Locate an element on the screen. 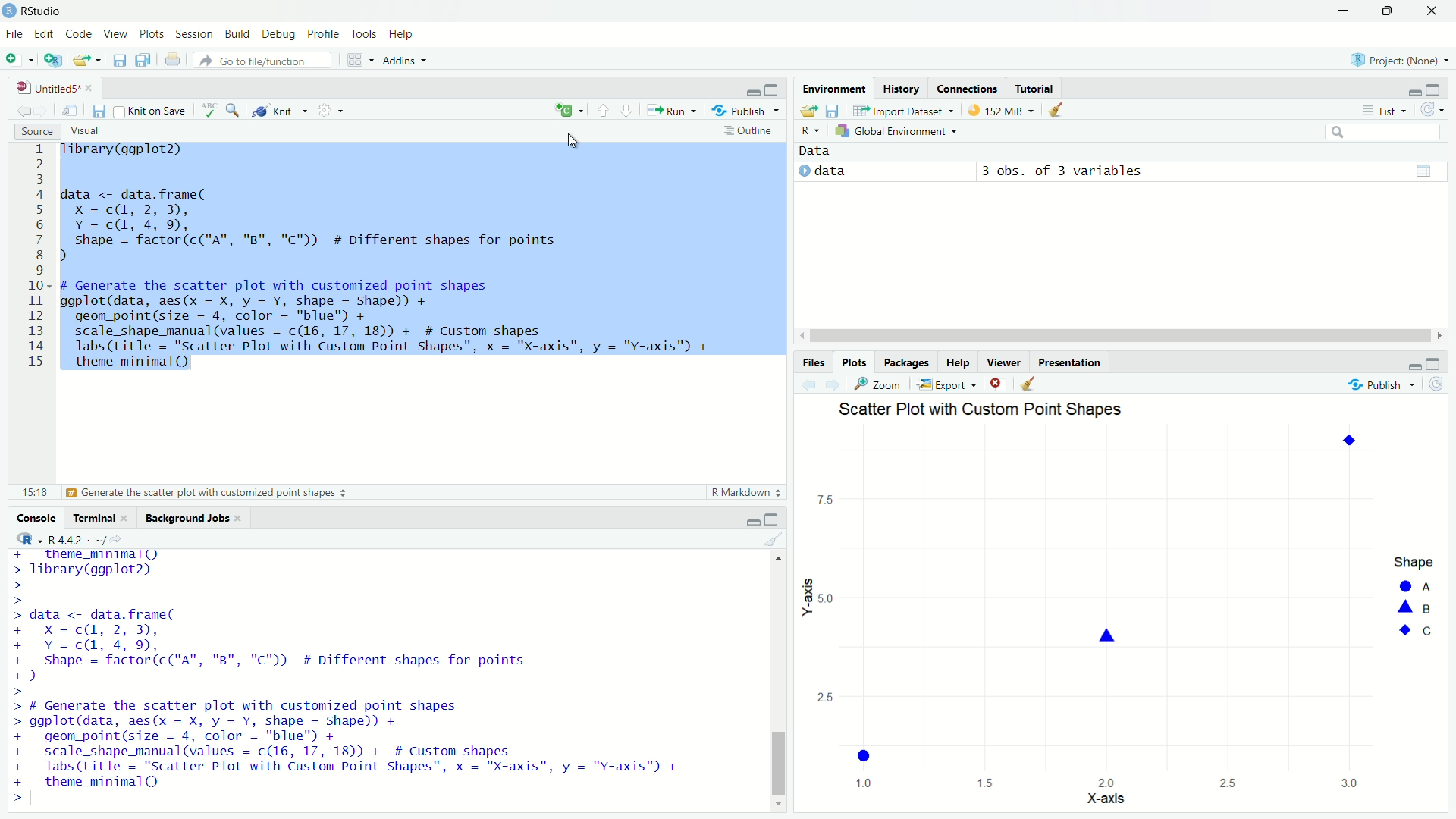  Save current document is located at coordinates (119, 60).